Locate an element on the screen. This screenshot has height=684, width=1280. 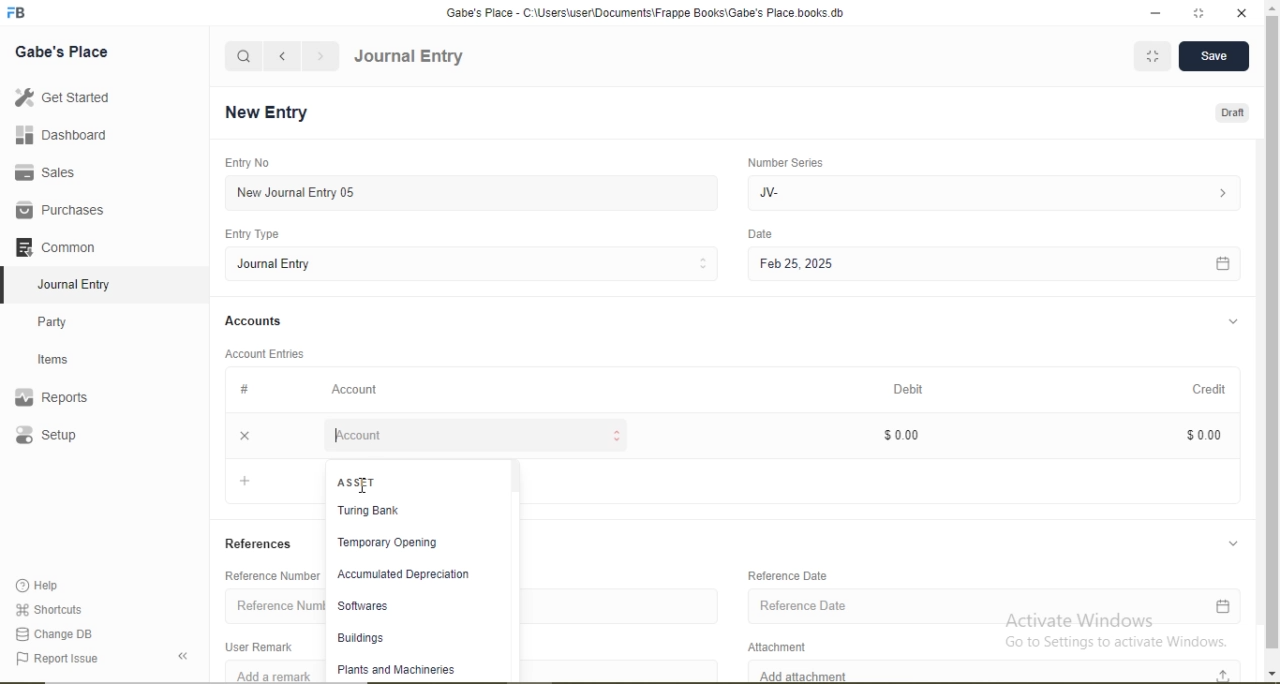
selected is located at coordinates (8, 284).